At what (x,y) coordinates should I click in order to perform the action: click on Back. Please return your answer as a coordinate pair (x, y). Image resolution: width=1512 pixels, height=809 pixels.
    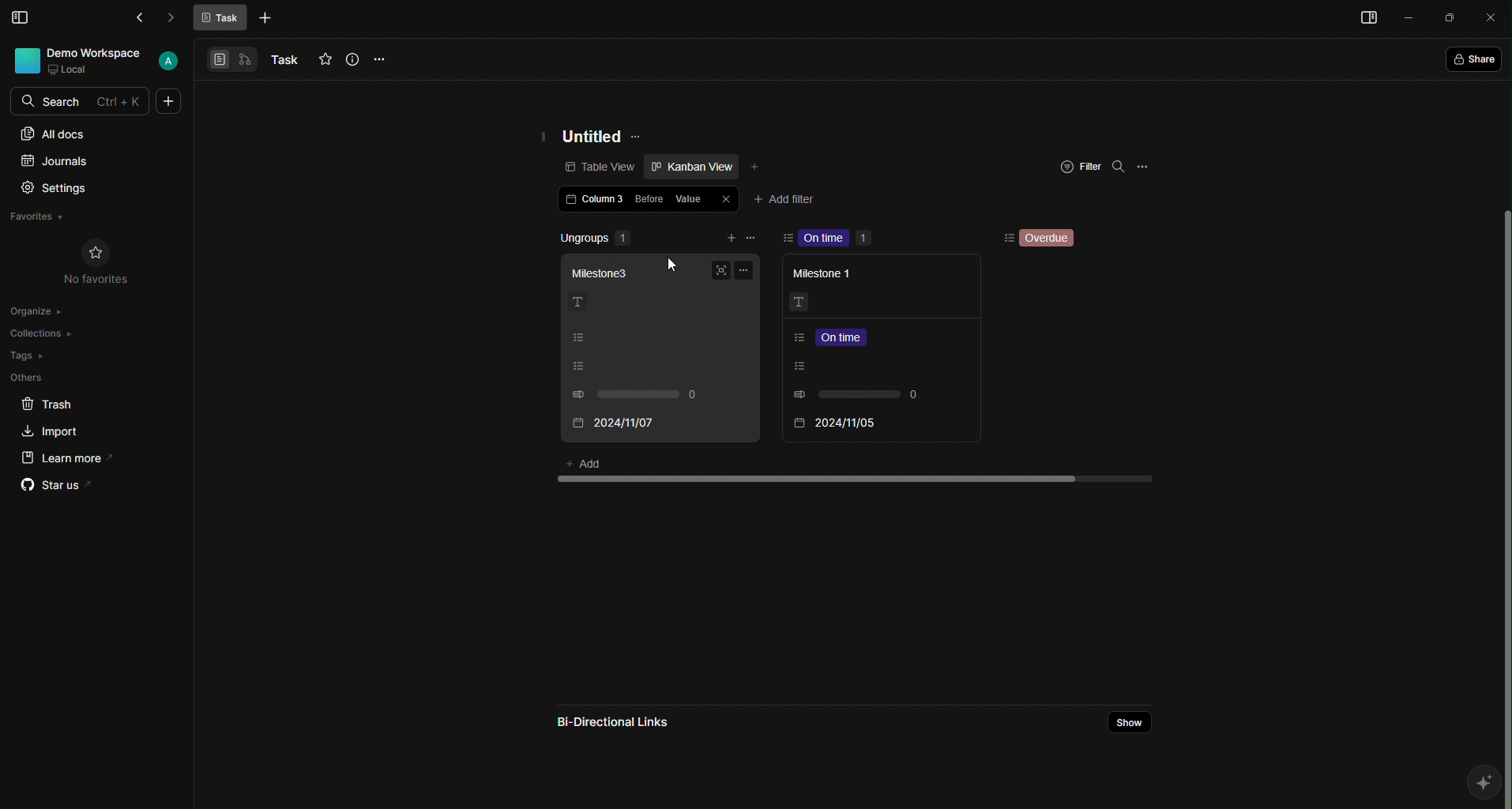
    Looking at the image, I should click on (145, 17).